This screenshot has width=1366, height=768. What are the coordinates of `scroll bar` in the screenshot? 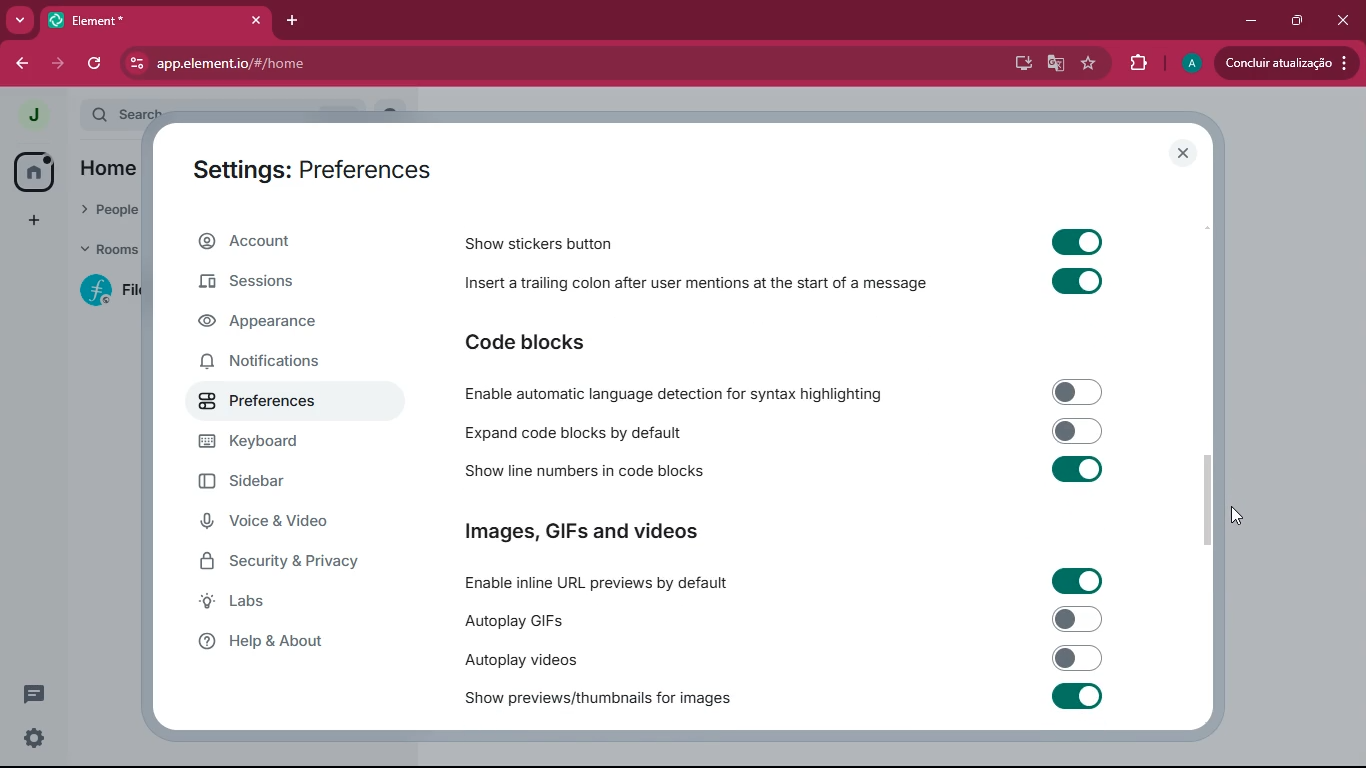 It's located at (1207, 501).